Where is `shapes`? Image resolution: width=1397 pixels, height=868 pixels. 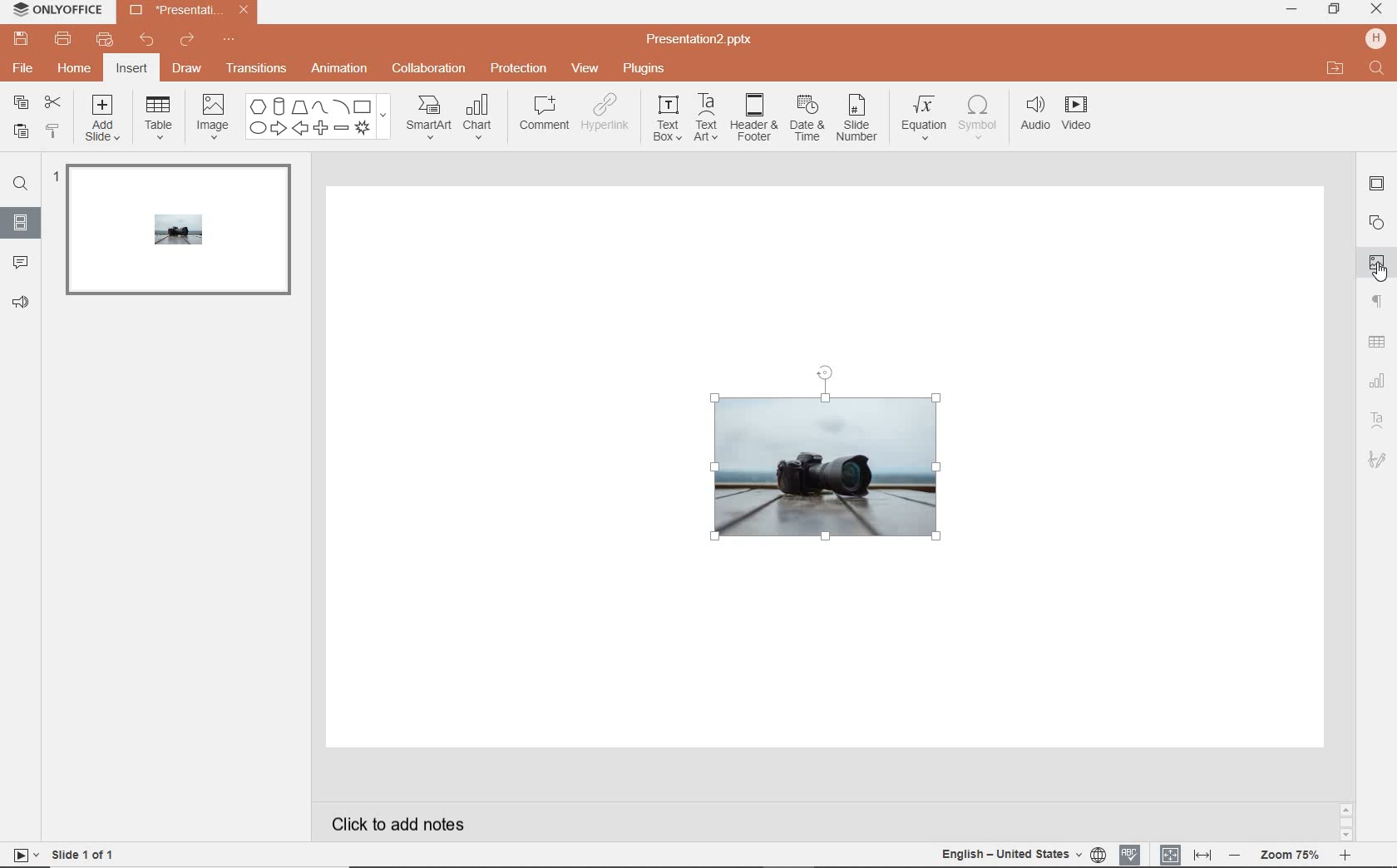
shapes is located at coordinates (316, 117).